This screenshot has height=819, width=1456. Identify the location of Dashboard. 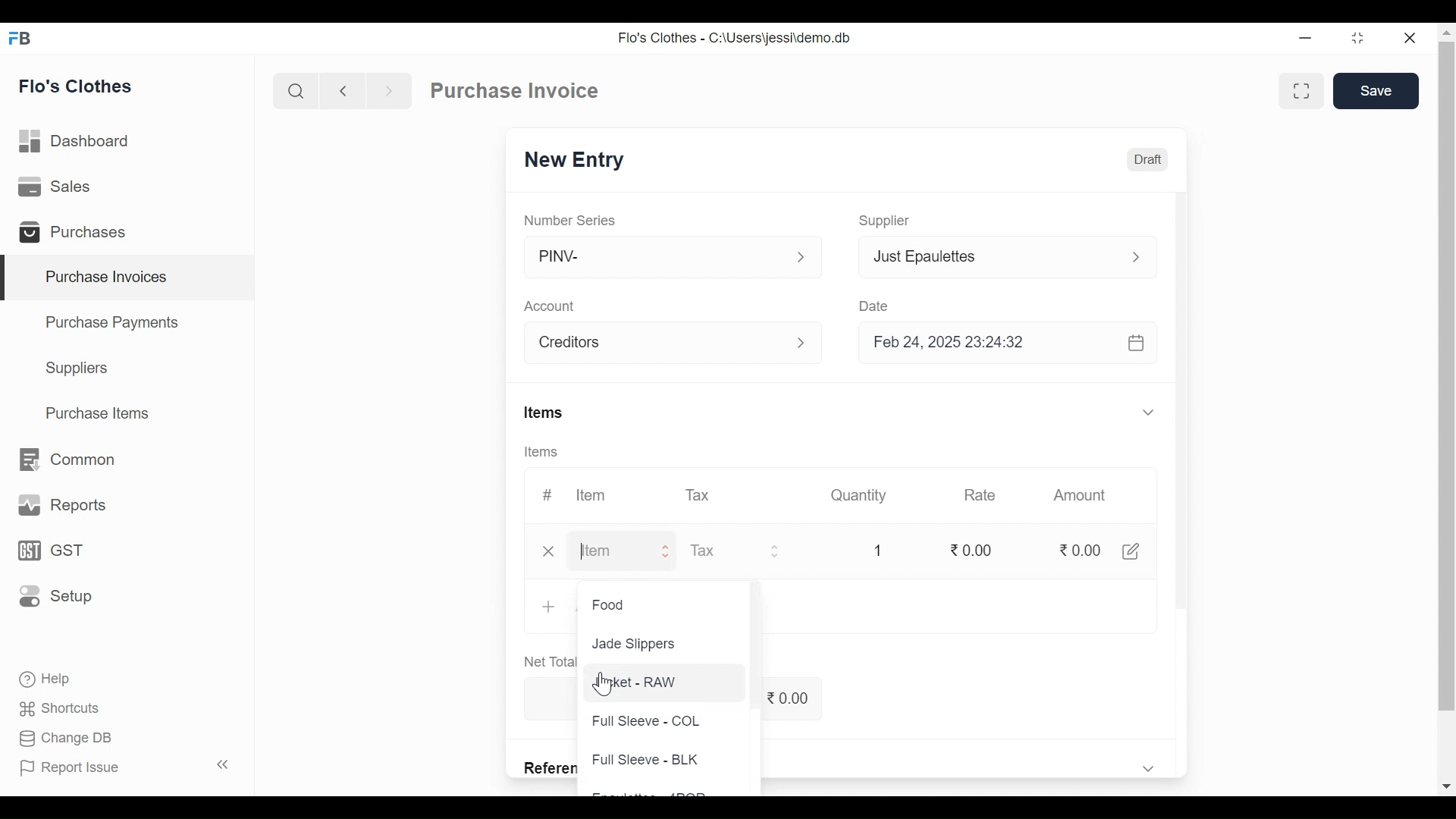
(82, 142).